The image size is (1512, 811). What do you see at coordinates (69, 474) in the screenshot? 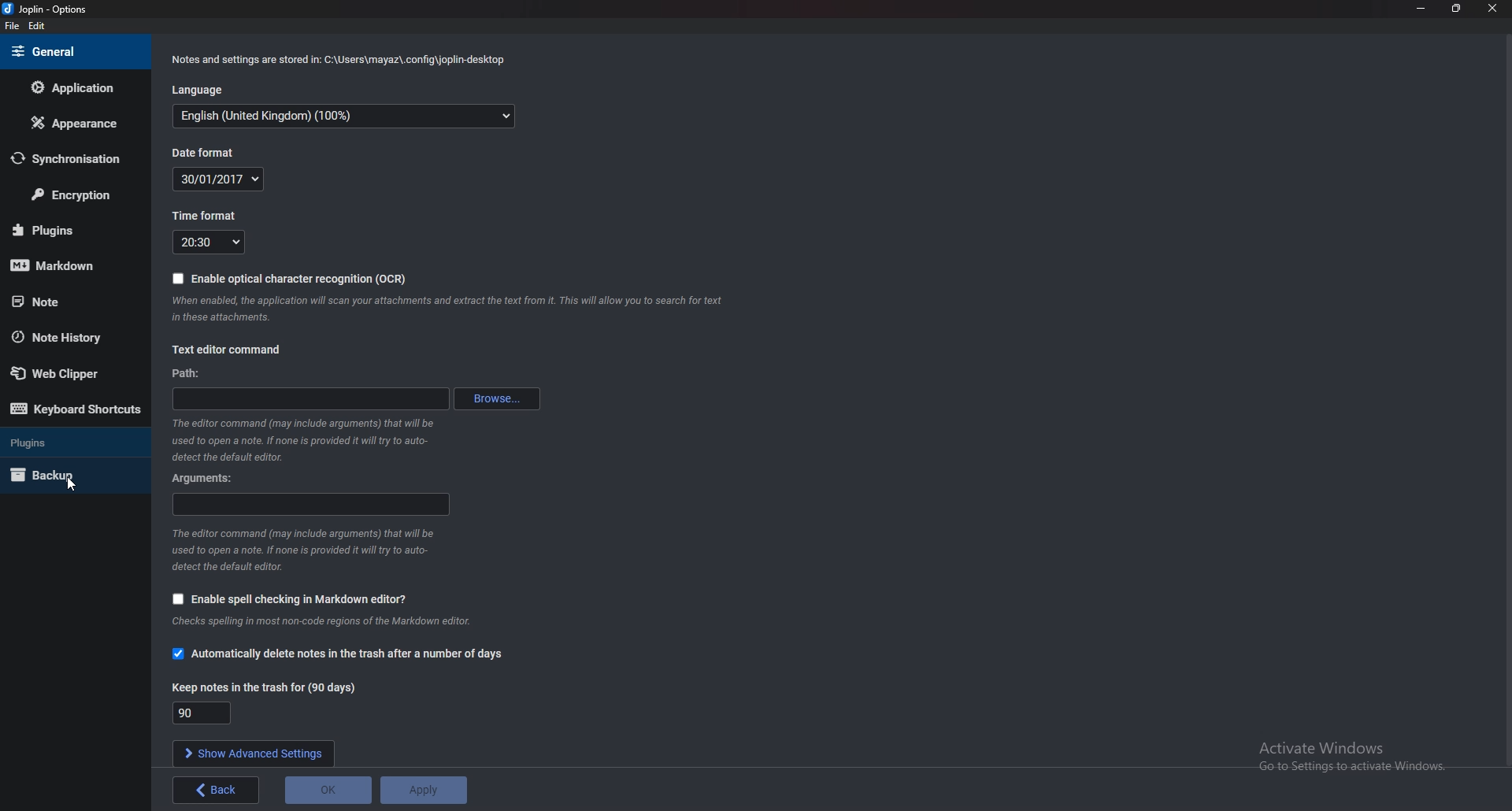
I see `Back up` at bounding box center [69, 474].